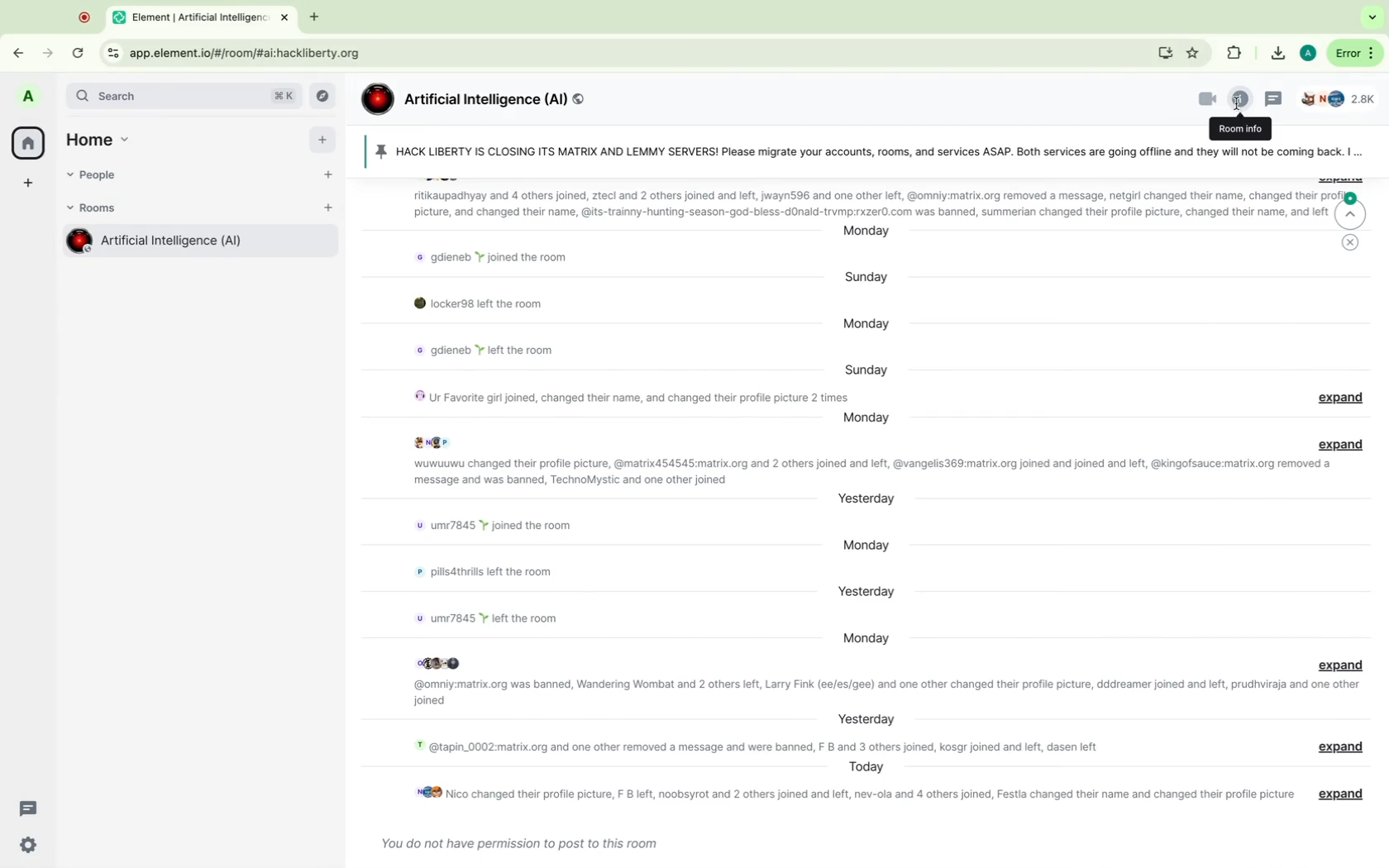 The height and width of the screenshot is (868, 1389). Describe the element at coordinates (869, 324) in the screenshot. I see `day` at that location.